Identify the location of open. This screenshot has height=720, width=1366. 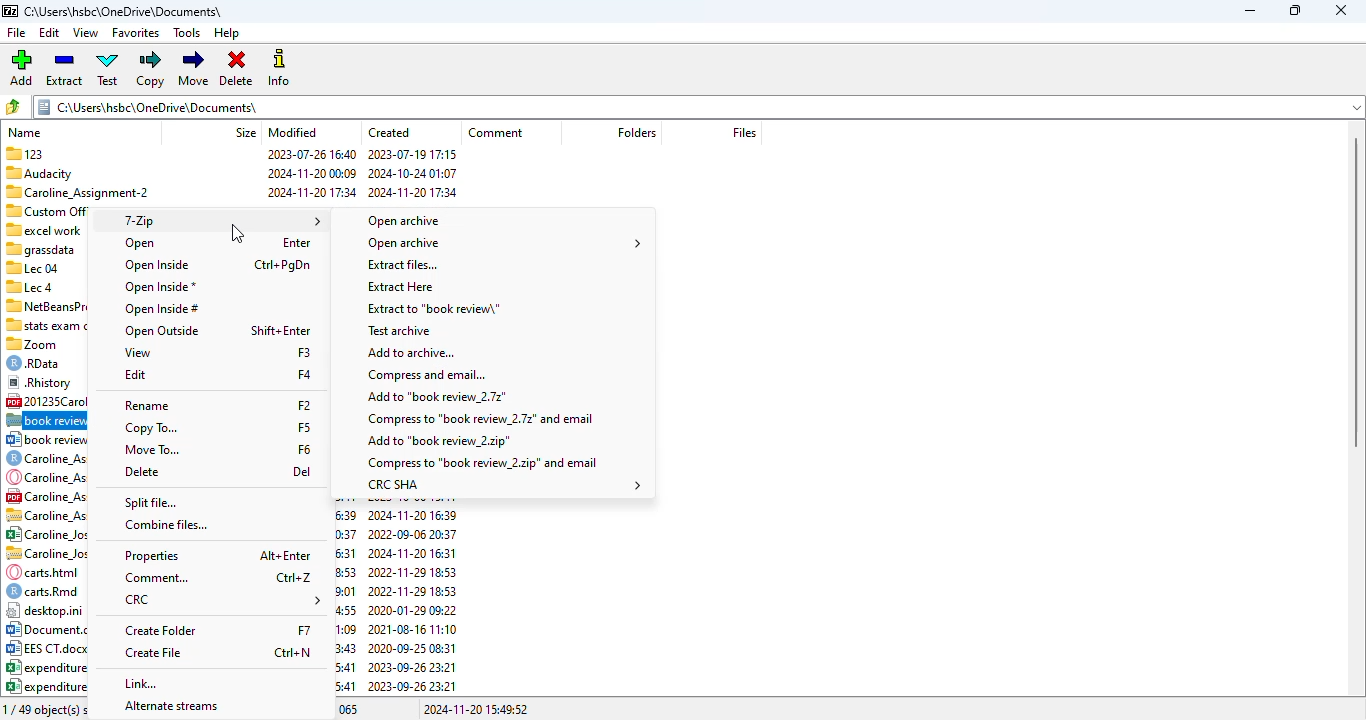
(140, 244).